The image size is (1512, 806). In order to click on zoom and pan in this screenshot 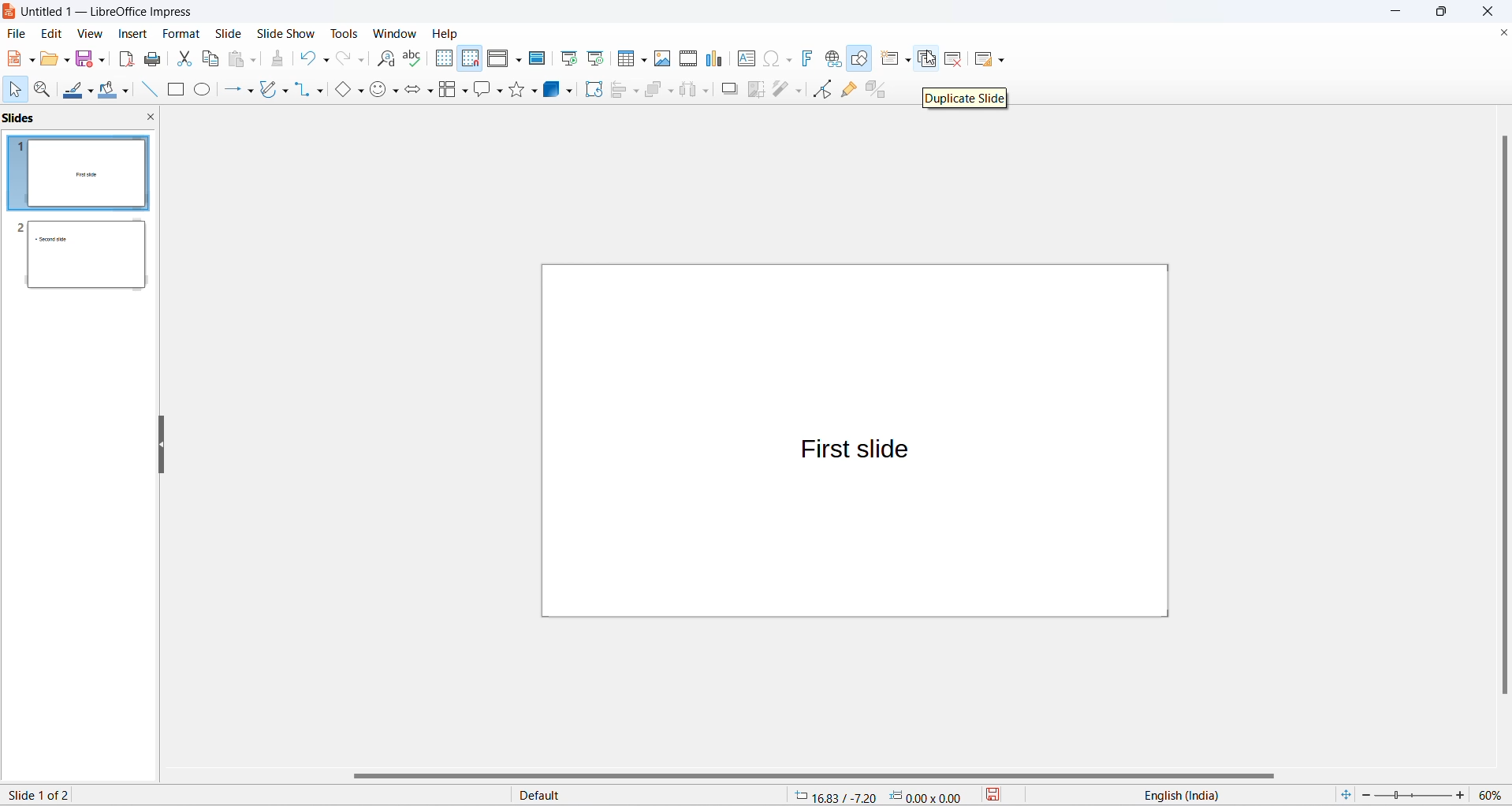, I will do `click(43, 89)`.